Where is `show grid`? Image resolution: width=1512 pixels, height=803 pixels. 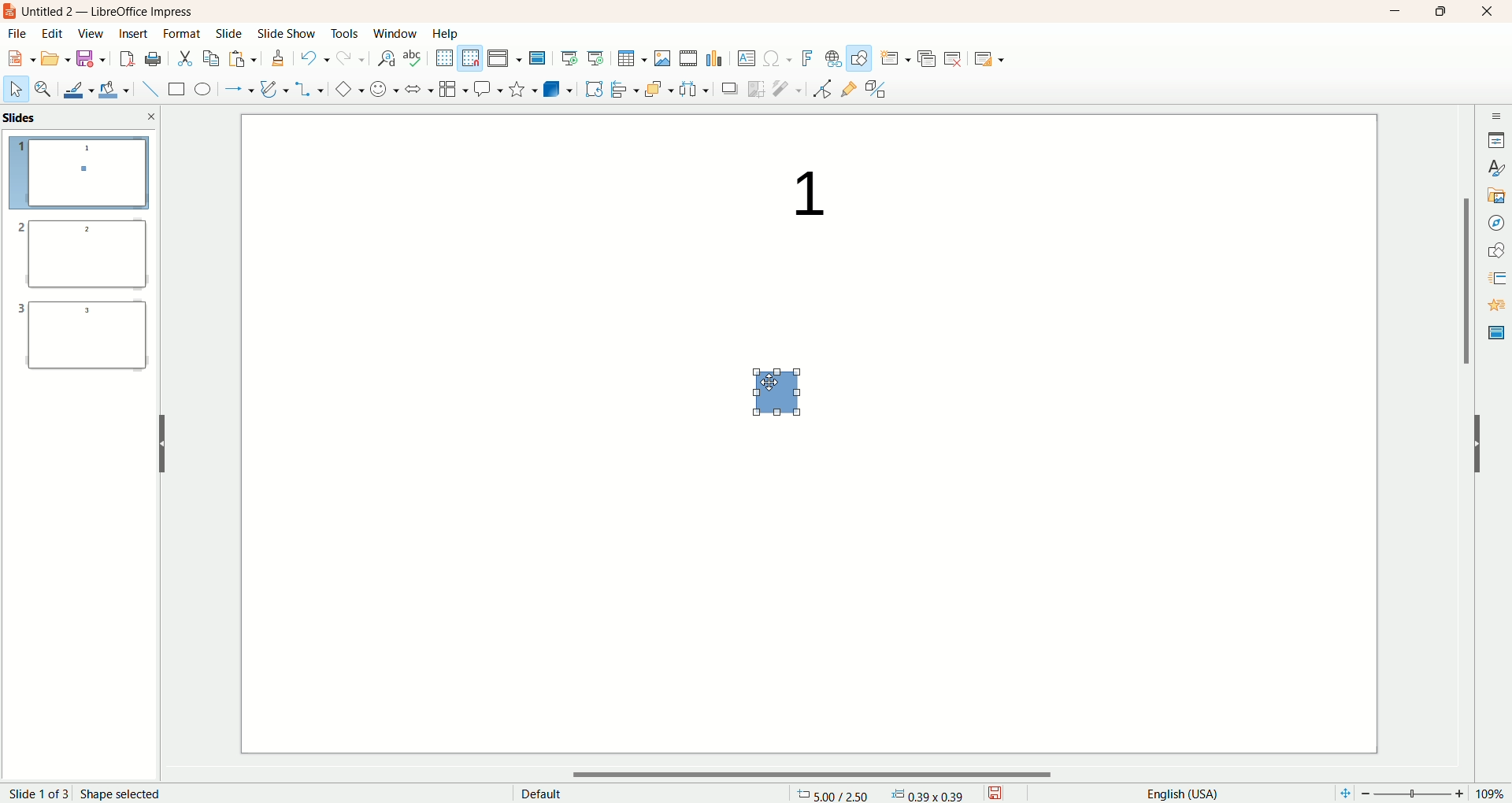
show grid is located at coordinates (443, 57).